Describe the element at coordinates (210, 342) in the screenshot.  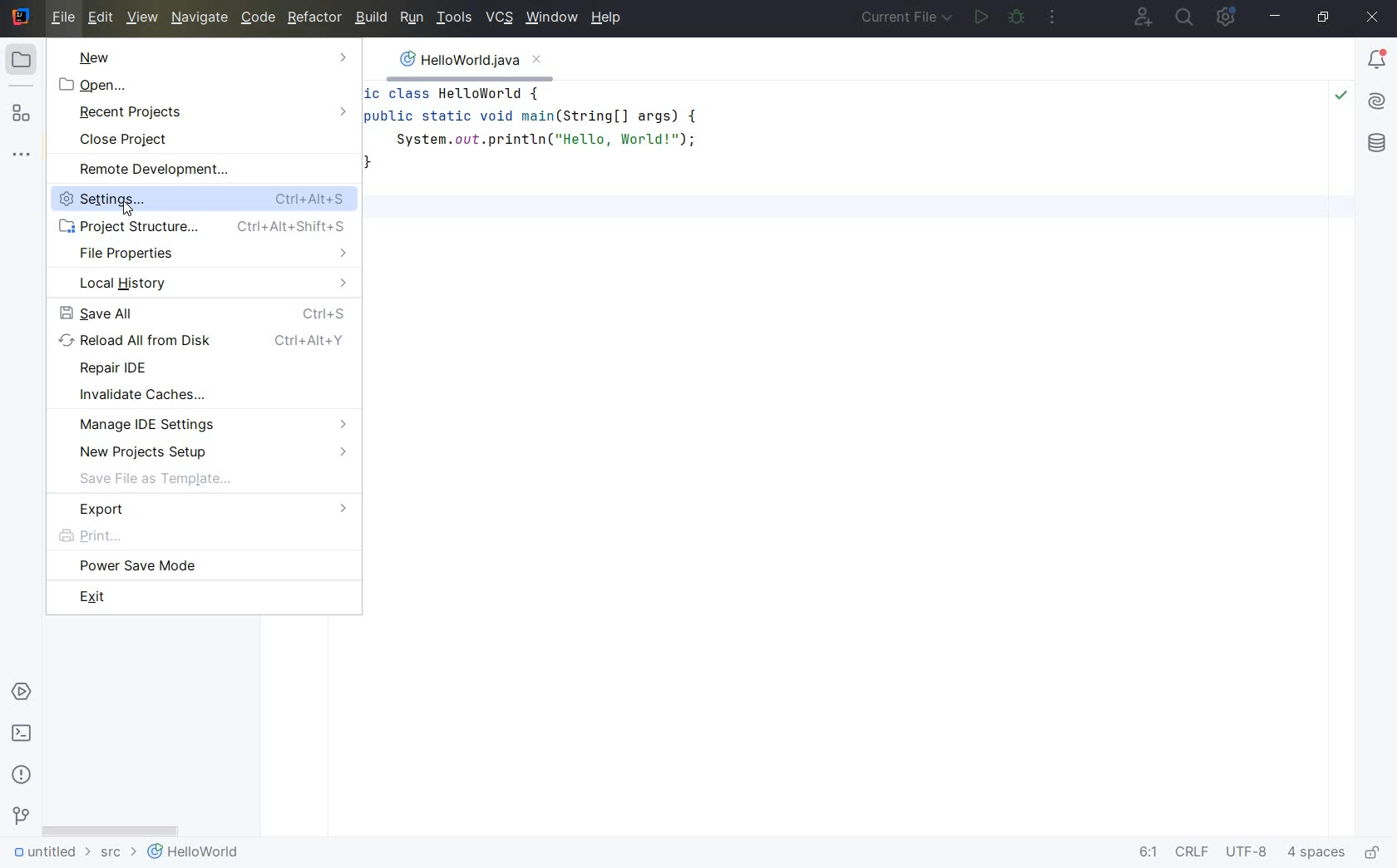
I see `RELOAD ALL FROM DISK` at that location.